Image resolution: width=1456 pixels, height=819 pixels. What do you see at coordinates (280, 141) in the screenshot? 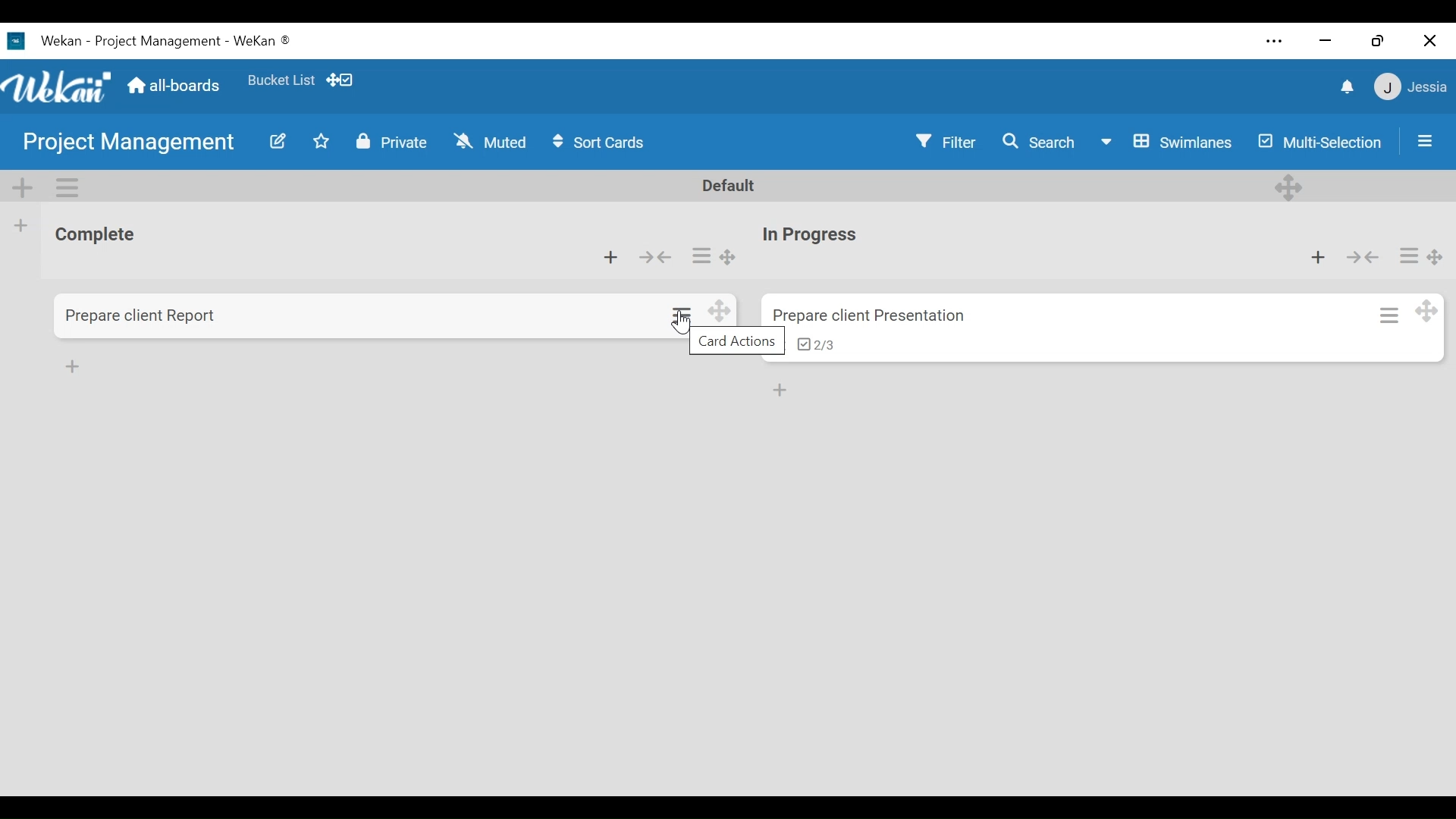
I see `Edit` at bounding box center [280, 141].